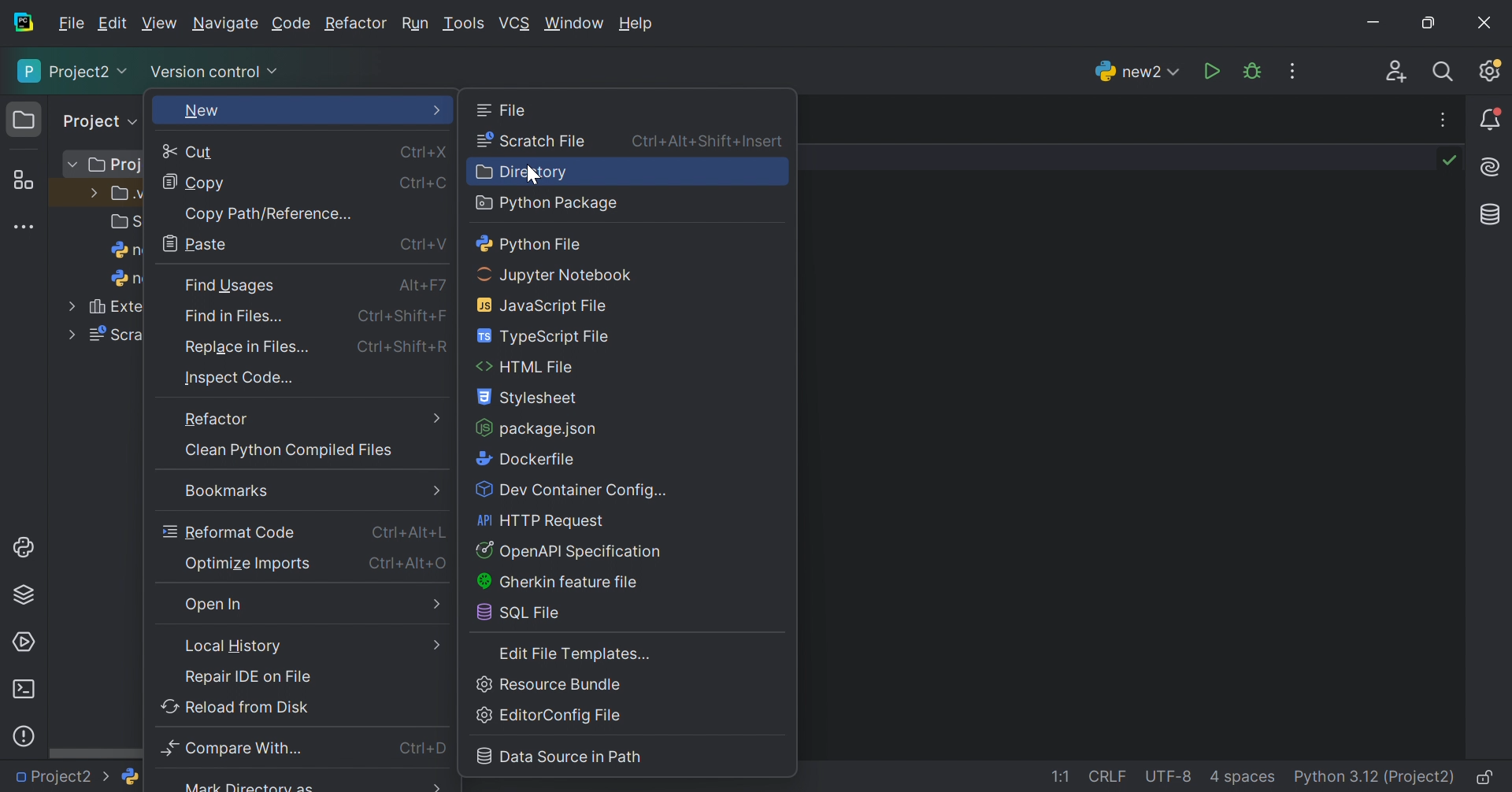 The width and height of the screenshot is (1512, 792). What do you see at coordinates (217, 419) in the screenshot?
I see `Refactor` at bounding box center [217, 419].